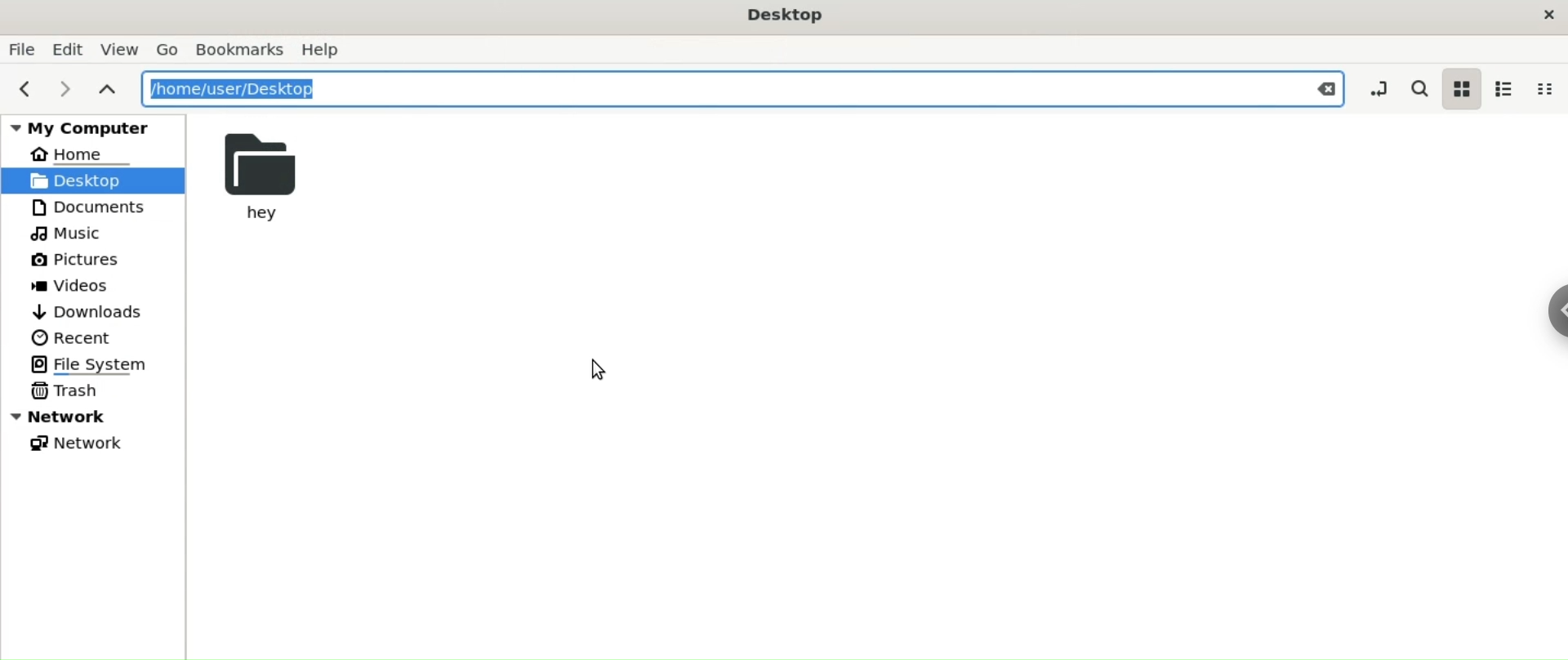 The image size is (1568, 660). Describe the element at coordinates (70, 48) in the screenshot. I see `Edit` at that location.